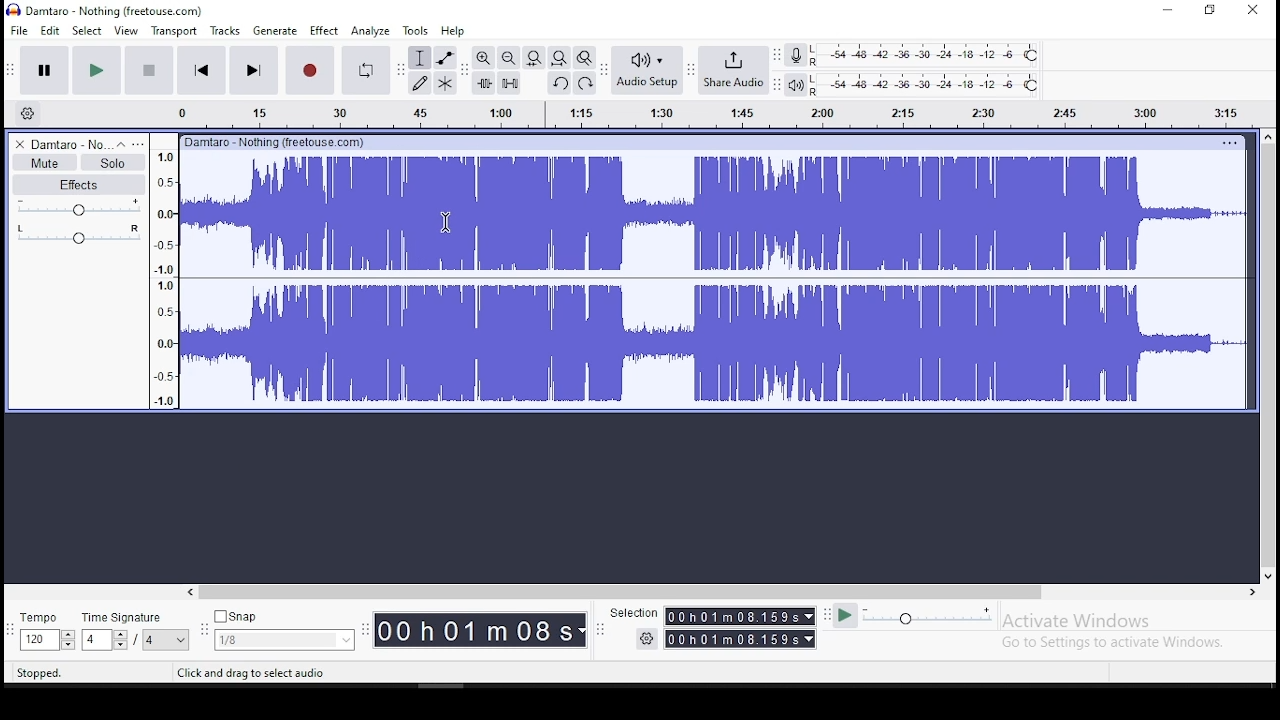  Describe the element at coordinates (809, 639) in the screenshot. I see `Drop down` at that location.